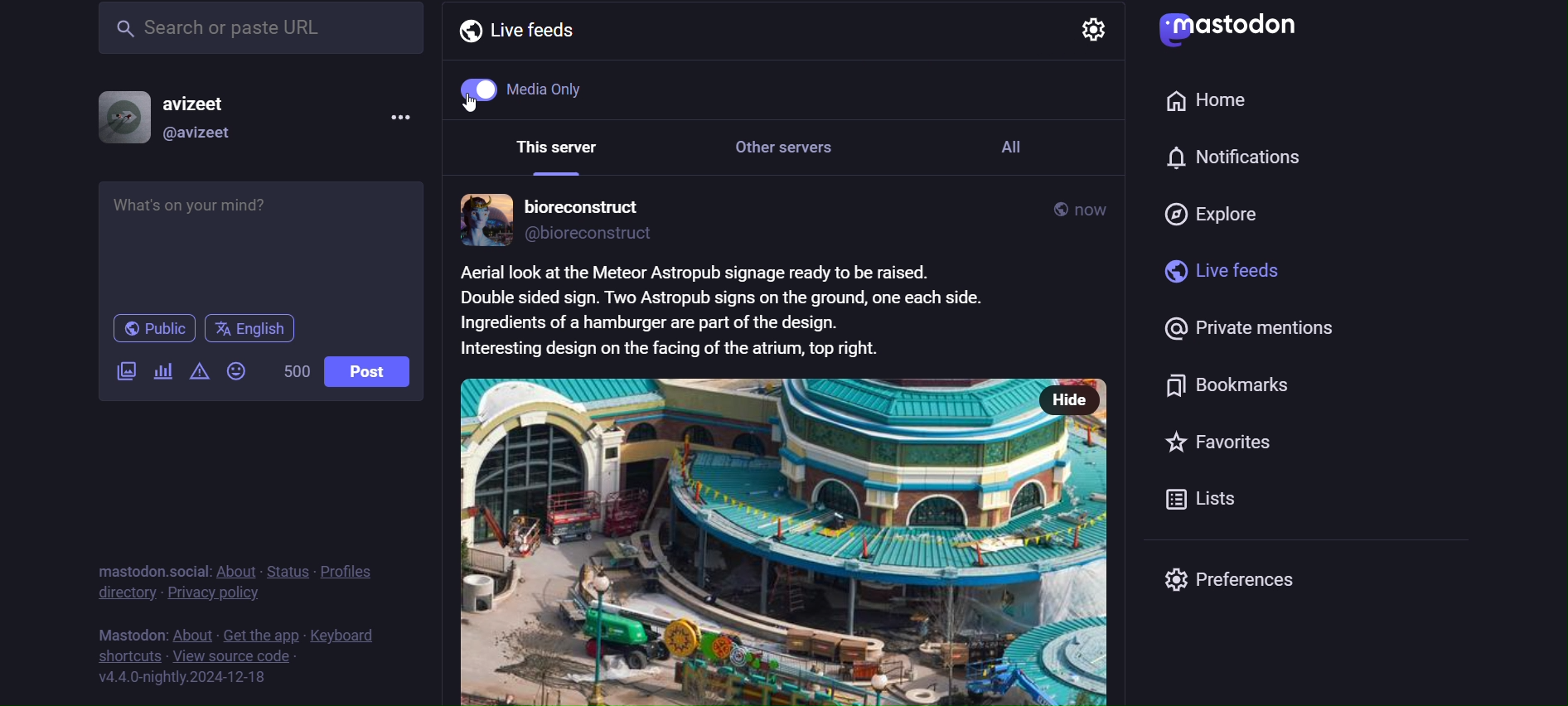  What do you see at coordinates (148, 563) in the screenshot?
I see `mastodon social` at bounding box center [148, 563].